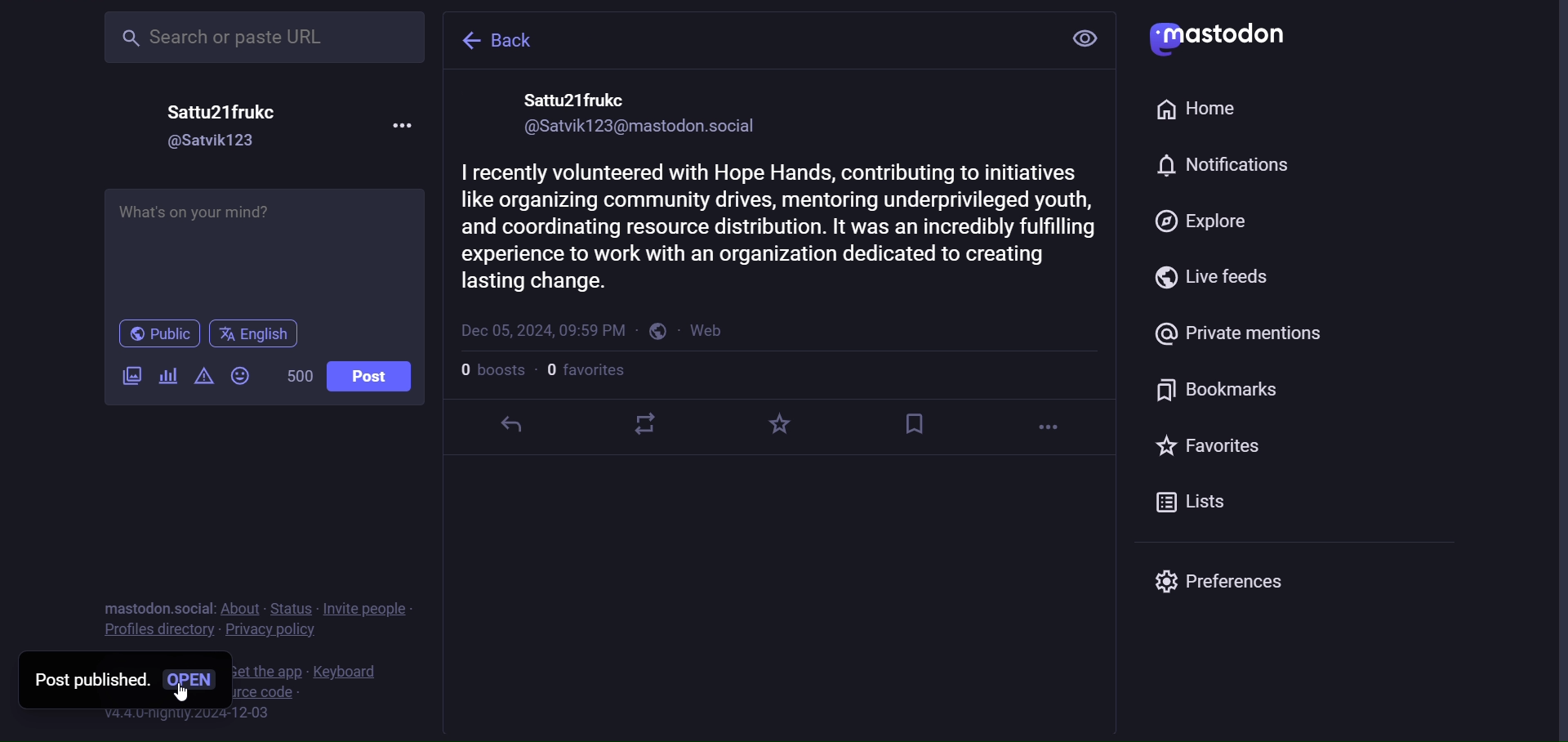 The height and width of the screenshot is (742, 1568). I want to click on id, so click(648, 129).